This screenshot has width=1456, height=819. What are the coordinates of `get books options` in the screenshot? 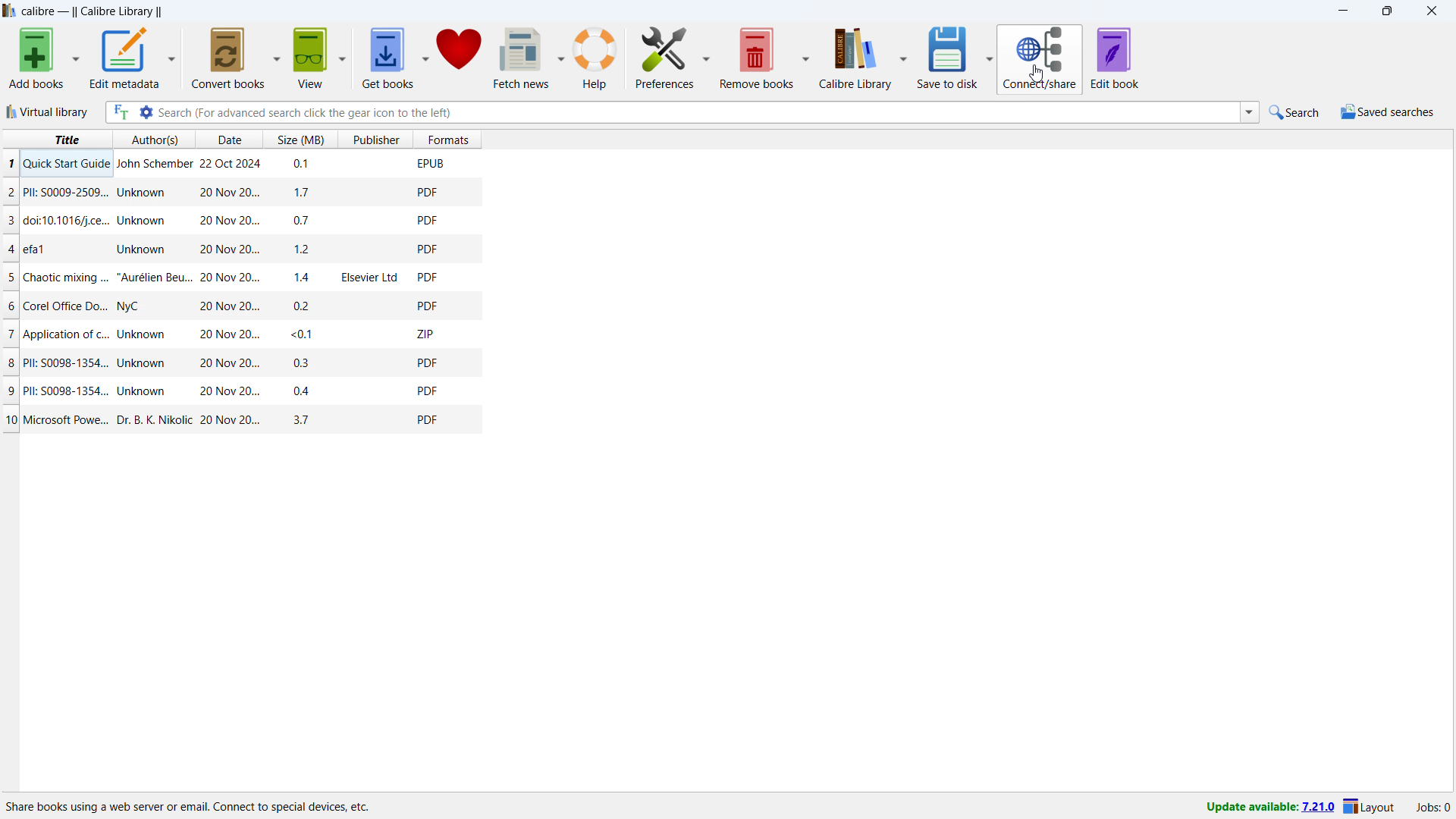 It's located at (426, 58).